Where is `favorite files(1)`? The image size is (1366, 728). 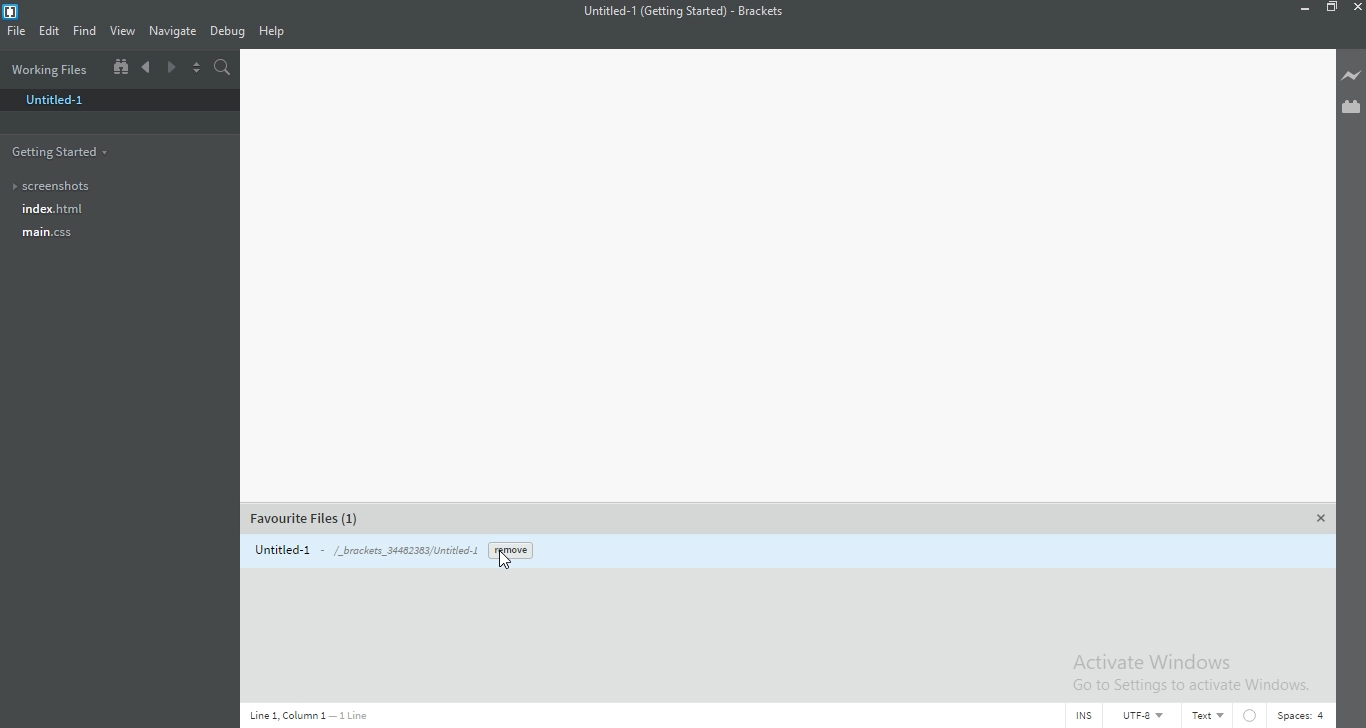
favorite files(1) is located at coordinates (307, 520).